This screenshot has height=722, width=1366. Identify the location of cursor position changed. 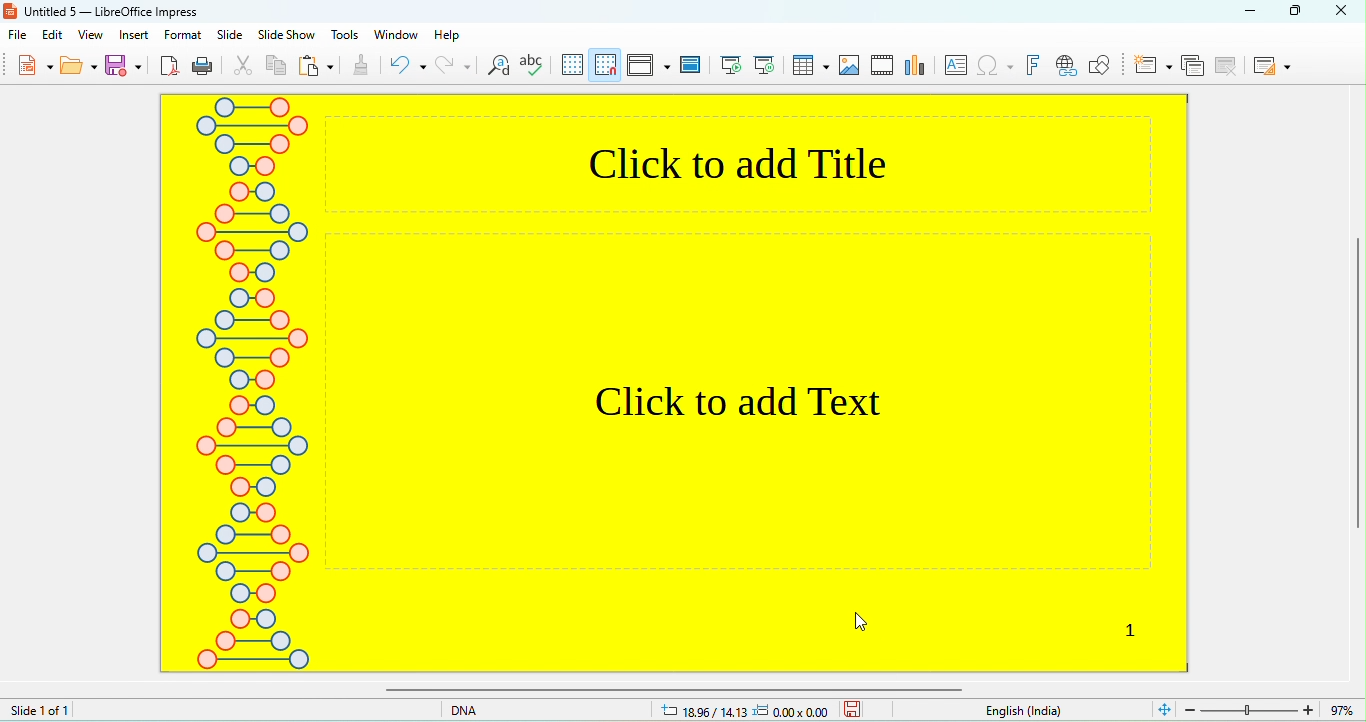
(742, 712).